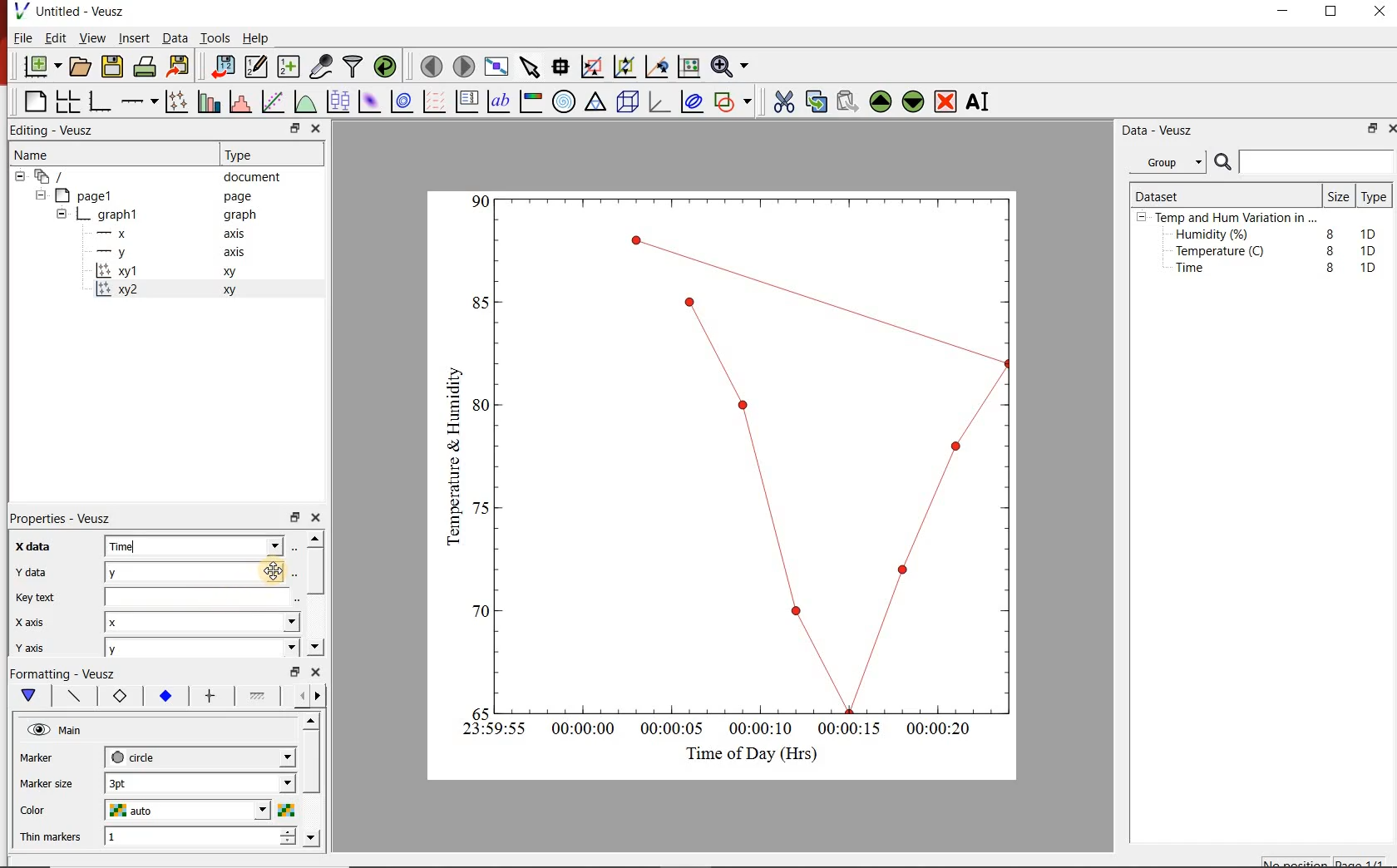 The height and width of the screenshot is (868, 1397). Describe the element at coordinates (62, 213) in the screenshot. I see `hide sub menu` at that location.